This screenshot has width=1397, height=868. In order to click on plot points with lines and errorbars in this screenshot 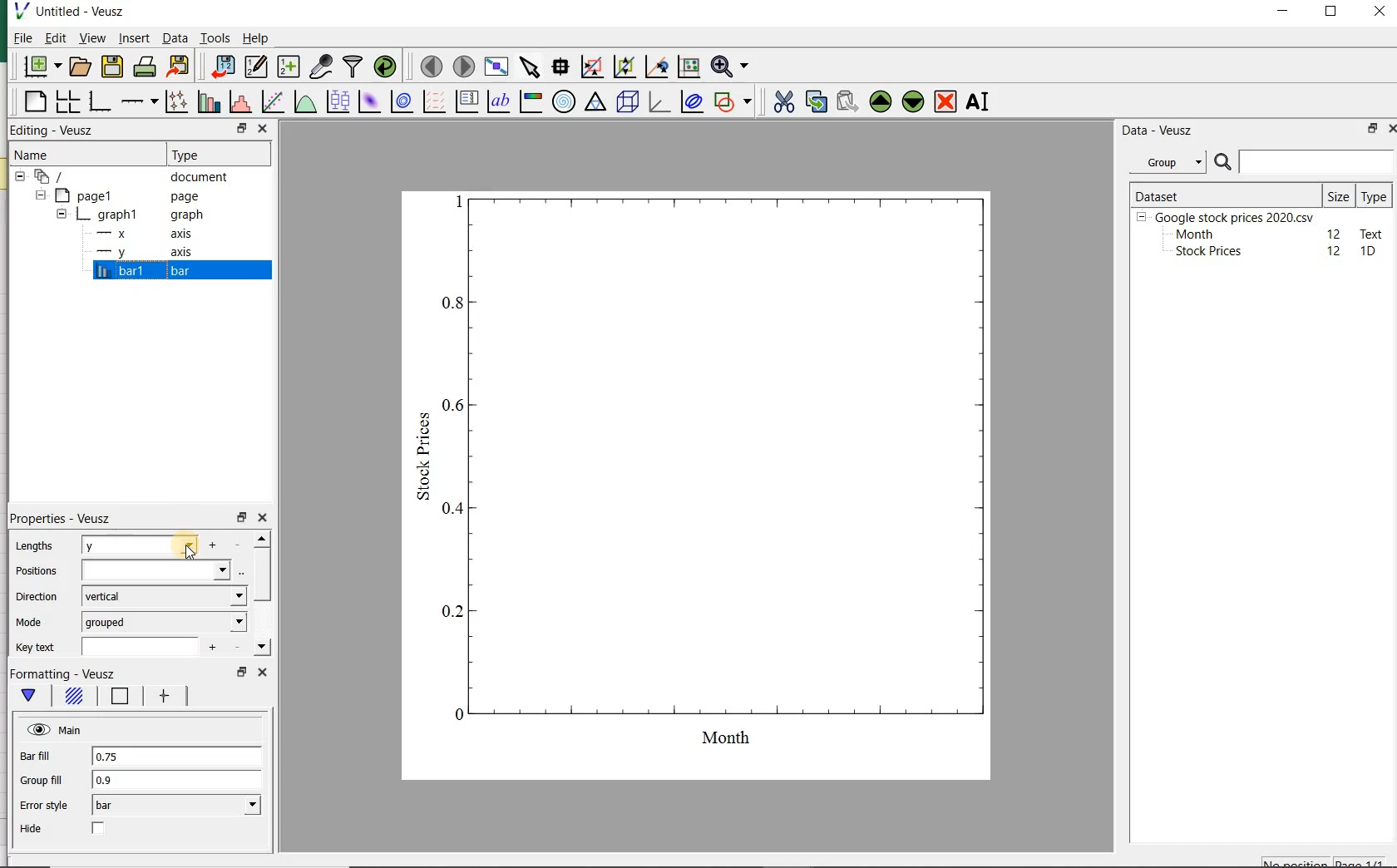, I will do `click(173, 103)`.